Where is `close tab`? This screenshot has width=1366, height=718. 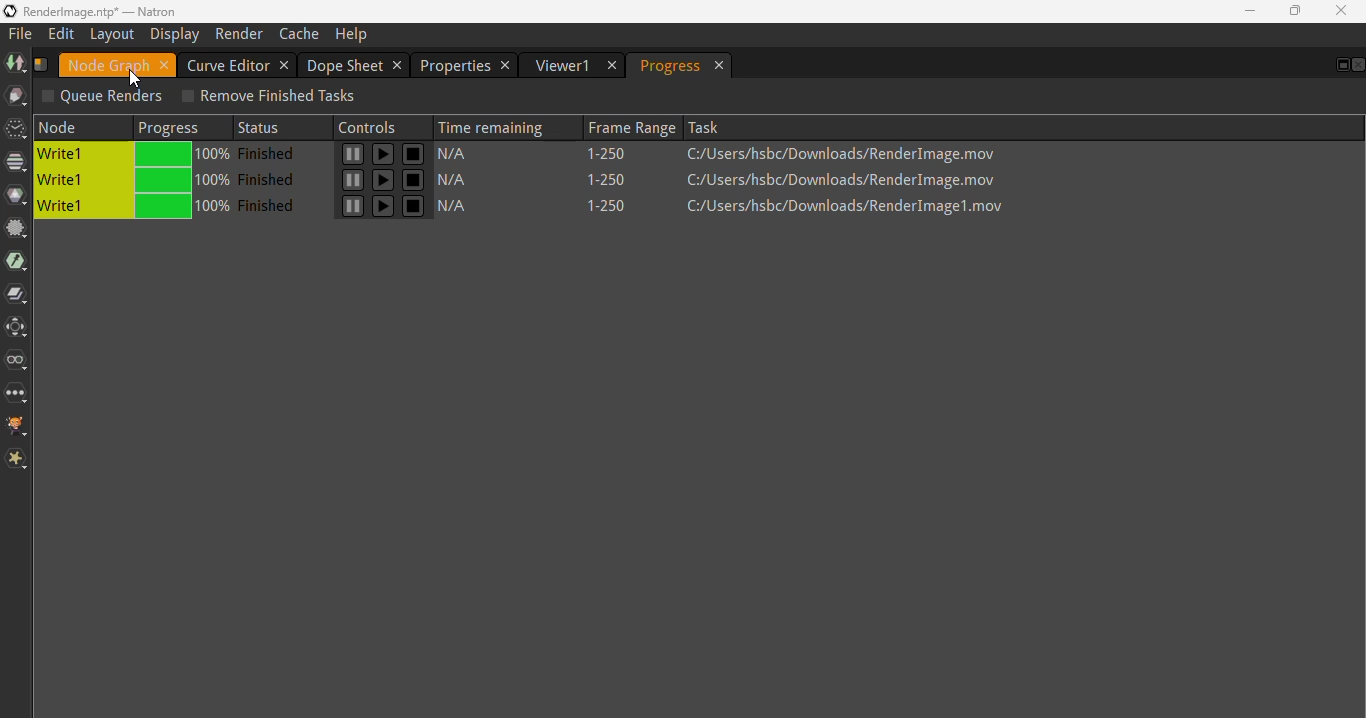 close tab is located at coordinates (285, 65).